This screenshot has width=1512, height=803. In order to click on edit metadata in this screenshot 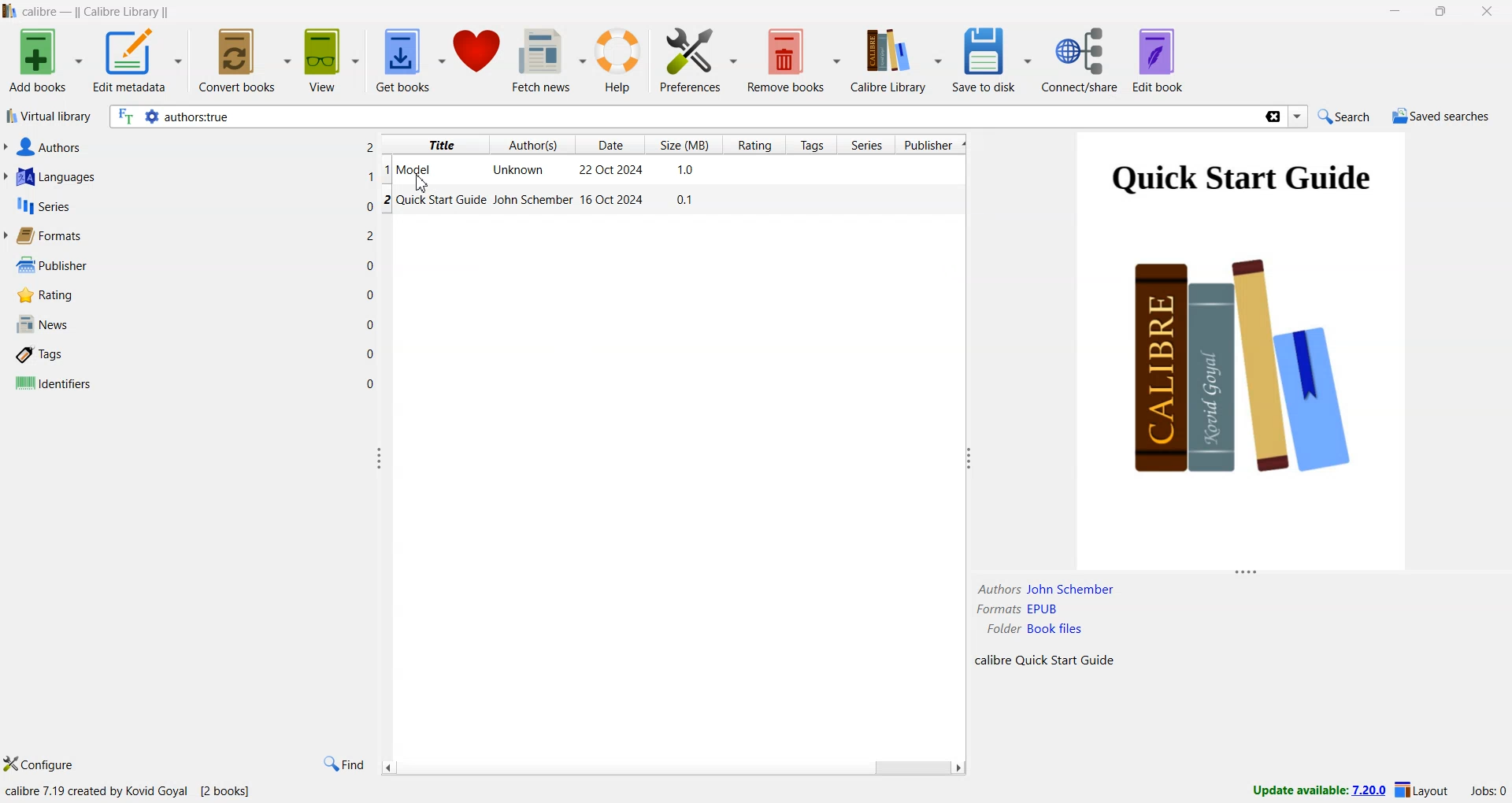, I will do `click(138, 62)`.